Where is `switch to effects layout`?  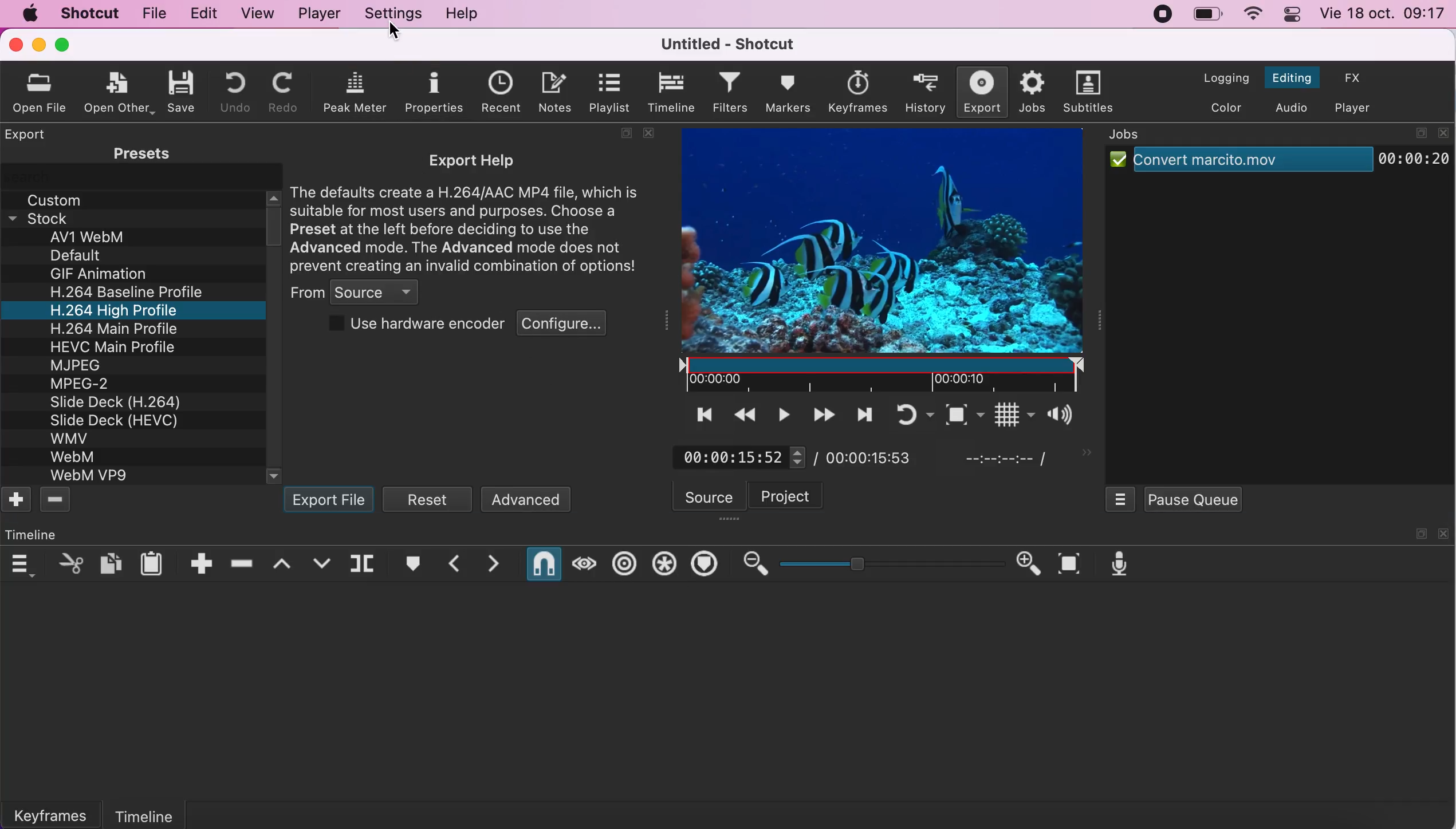
switch to effects layout is located at coordinates (1355, 77).